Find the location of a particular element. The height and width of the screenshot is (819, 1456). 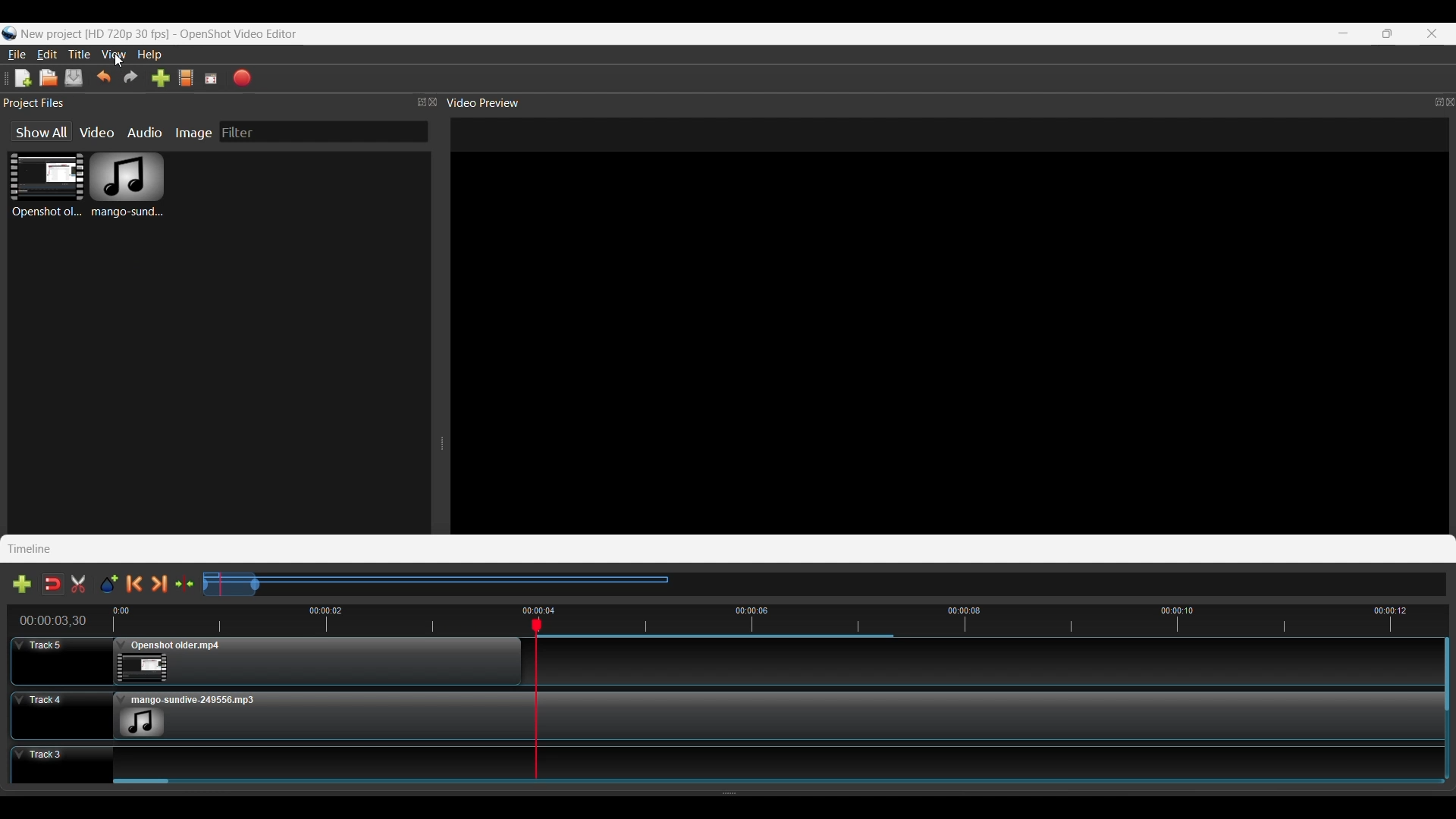

Enable Razor is located at coordinates (80, 583).